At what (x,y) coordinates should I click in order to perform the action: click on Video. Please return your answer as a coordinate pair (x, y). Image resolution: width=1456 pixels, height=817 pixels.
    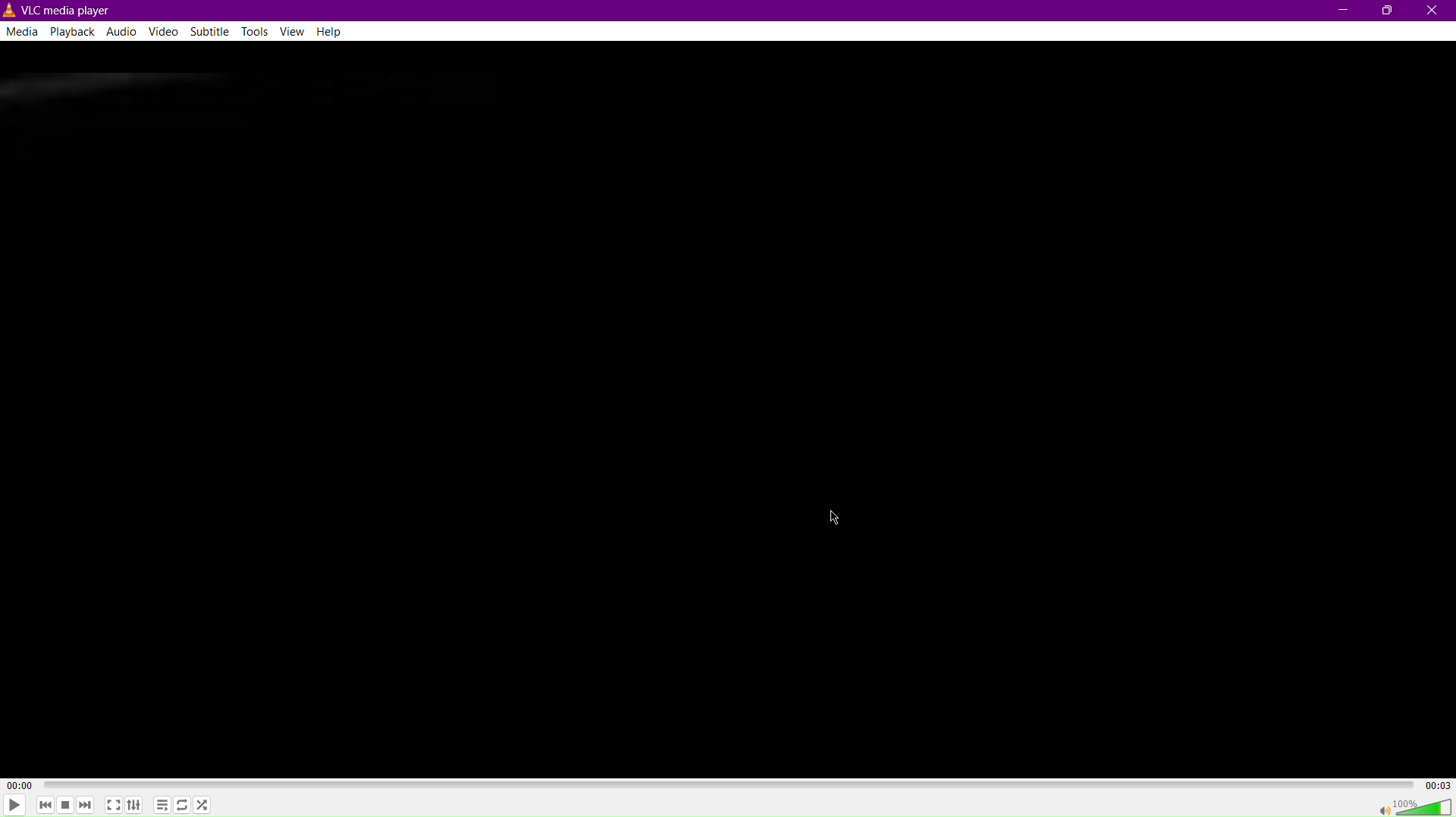
    Looking at the image, I should click on (163, 30).